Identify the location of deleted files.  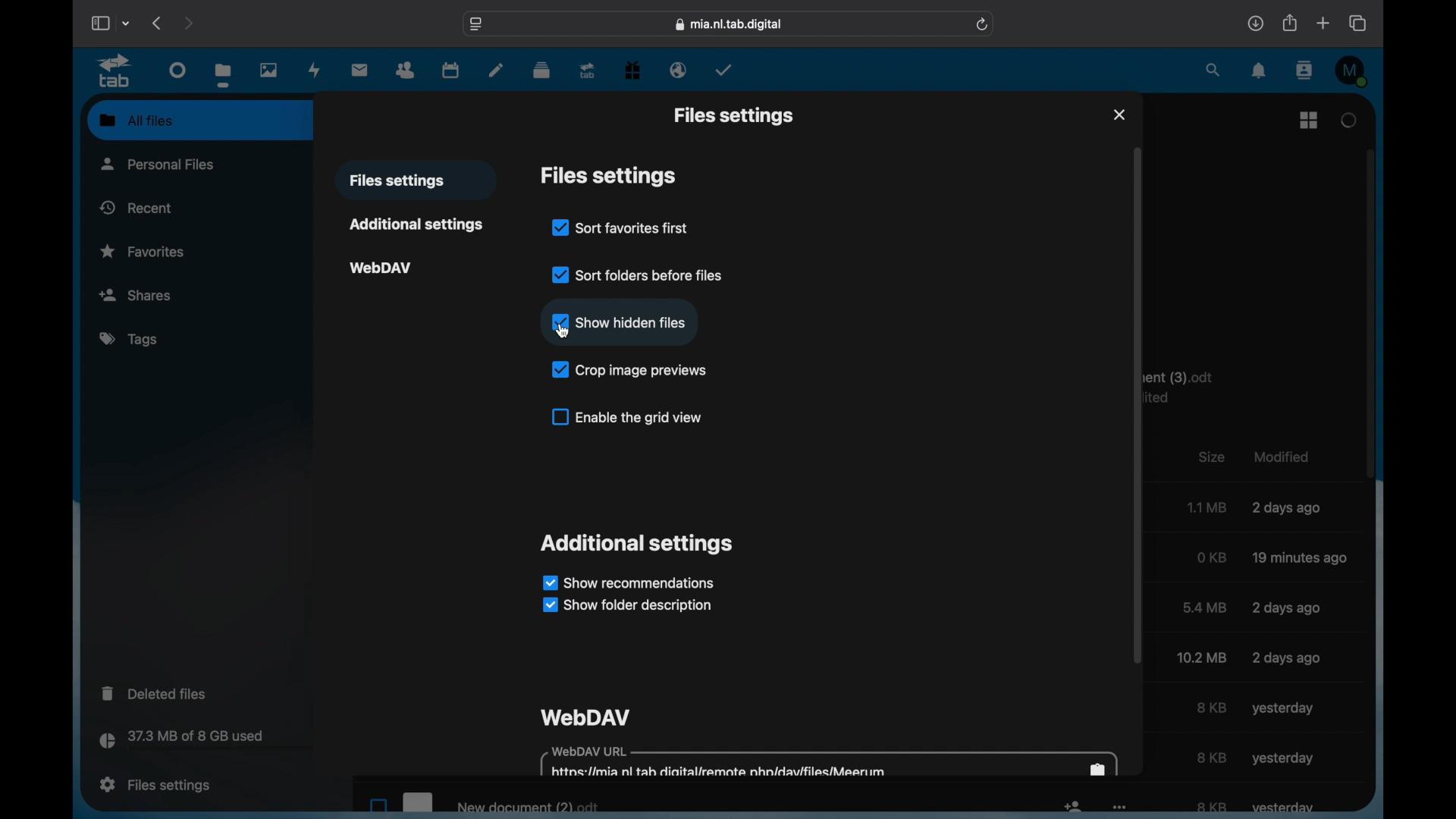
(155, 692).